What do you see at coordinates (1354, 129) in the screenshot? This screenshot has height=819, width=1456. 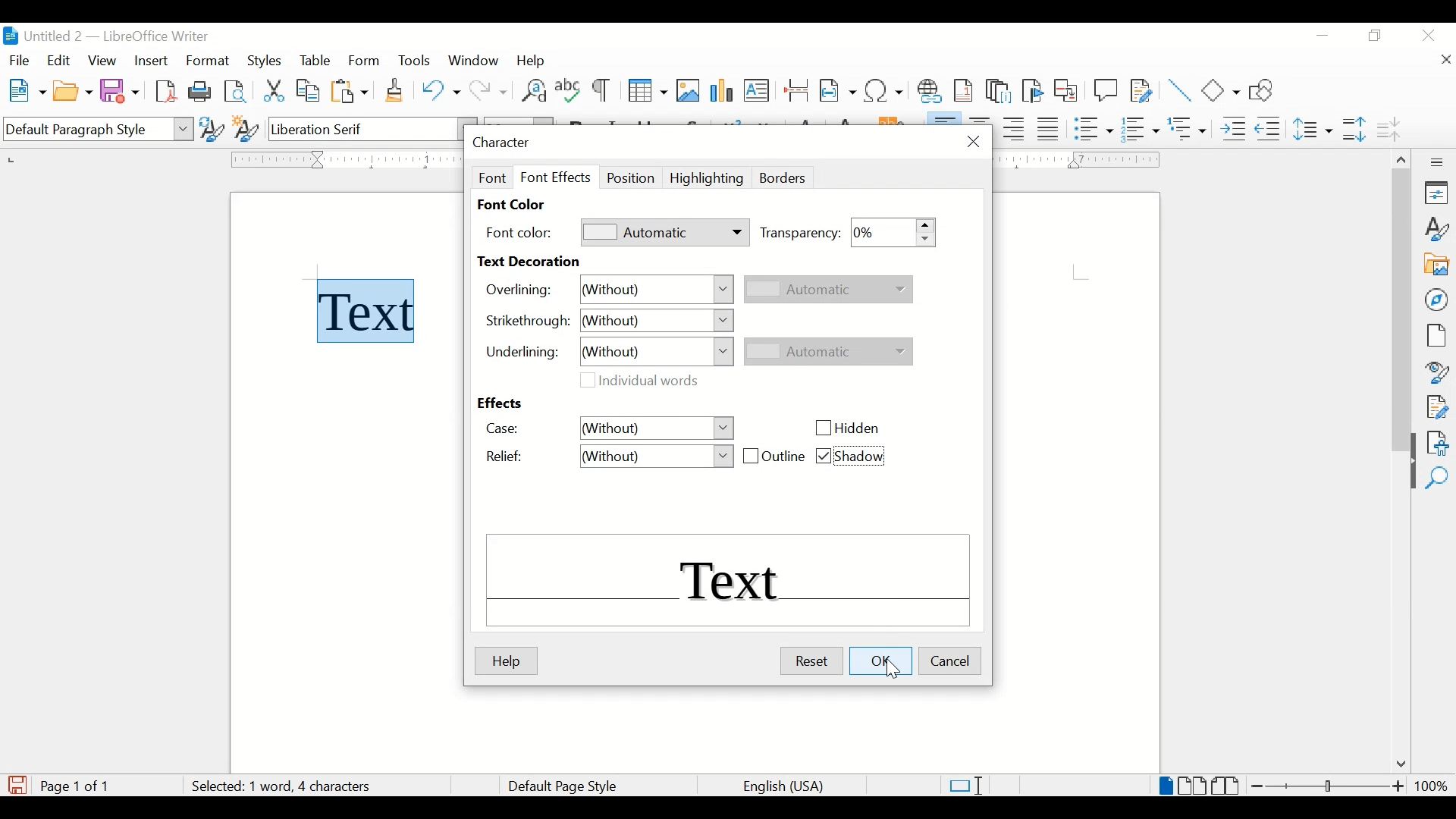 I see `increase paragraph spacing` at bounding box center [1354, 129].